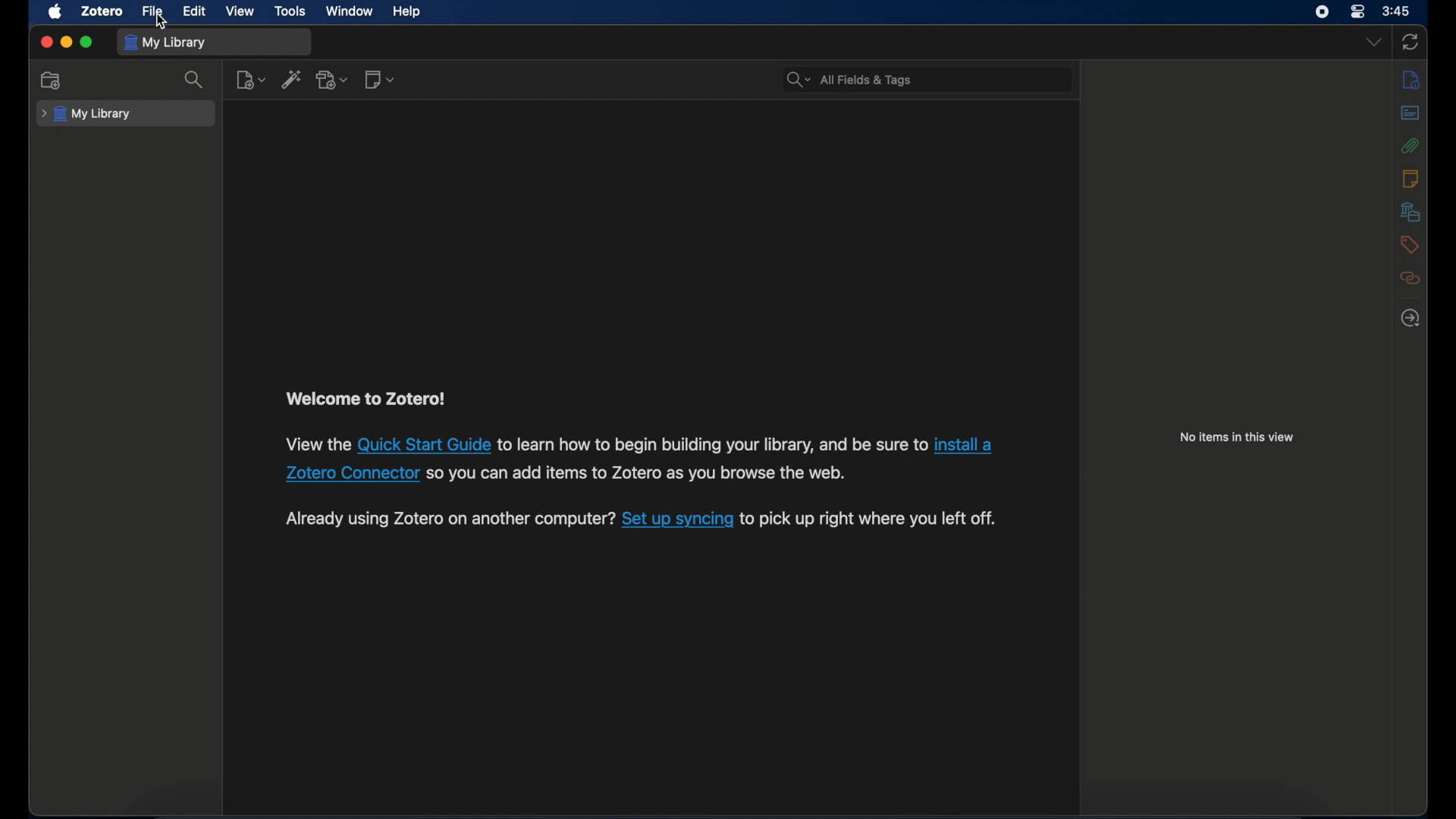  What do you see at coordinates (153, 12) in the screenshot?
I see `file` at bounding box center [153, 12].